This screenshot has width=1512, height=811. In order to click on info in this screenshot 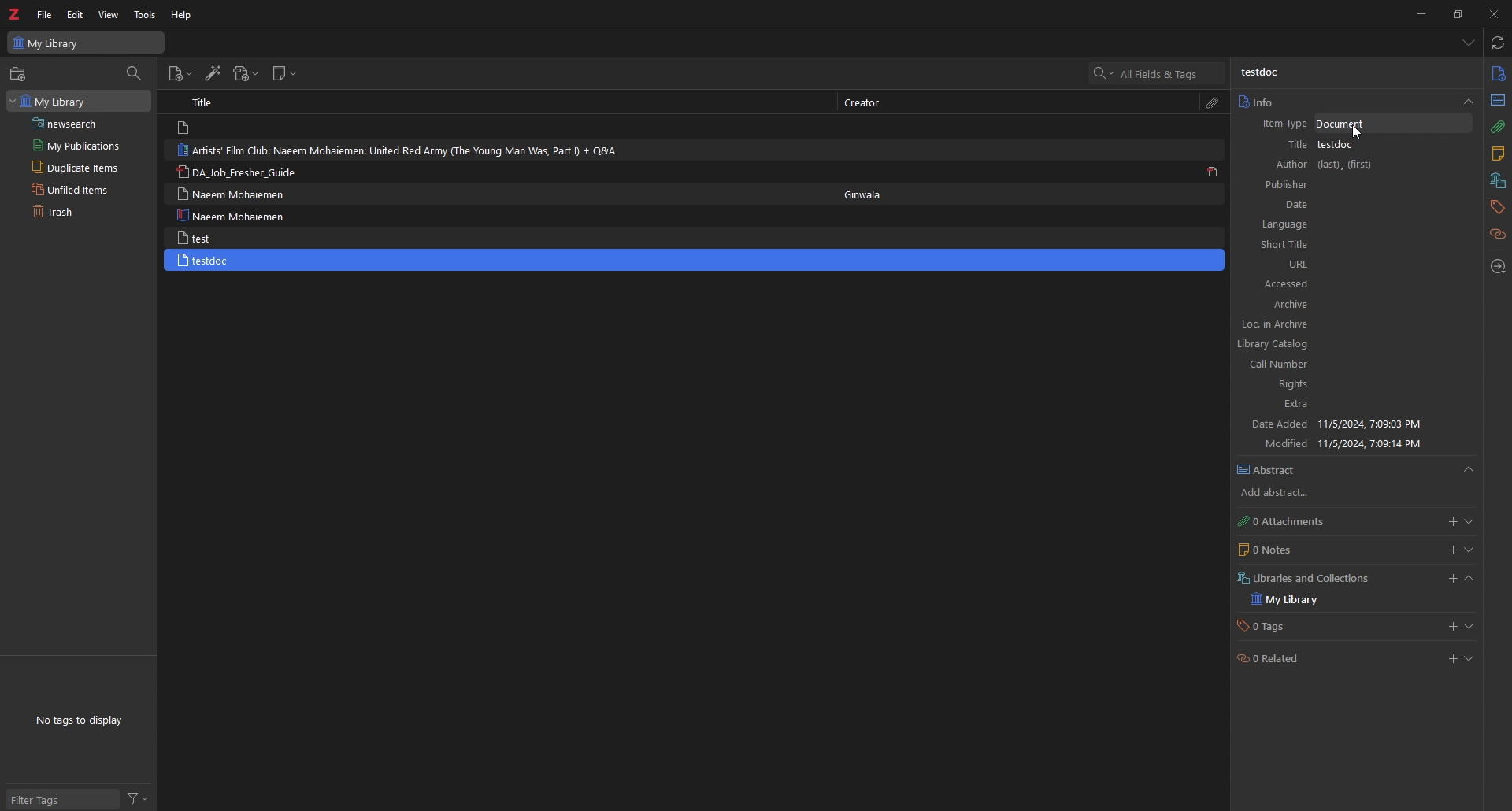, I will do `click(1498, 73)`.